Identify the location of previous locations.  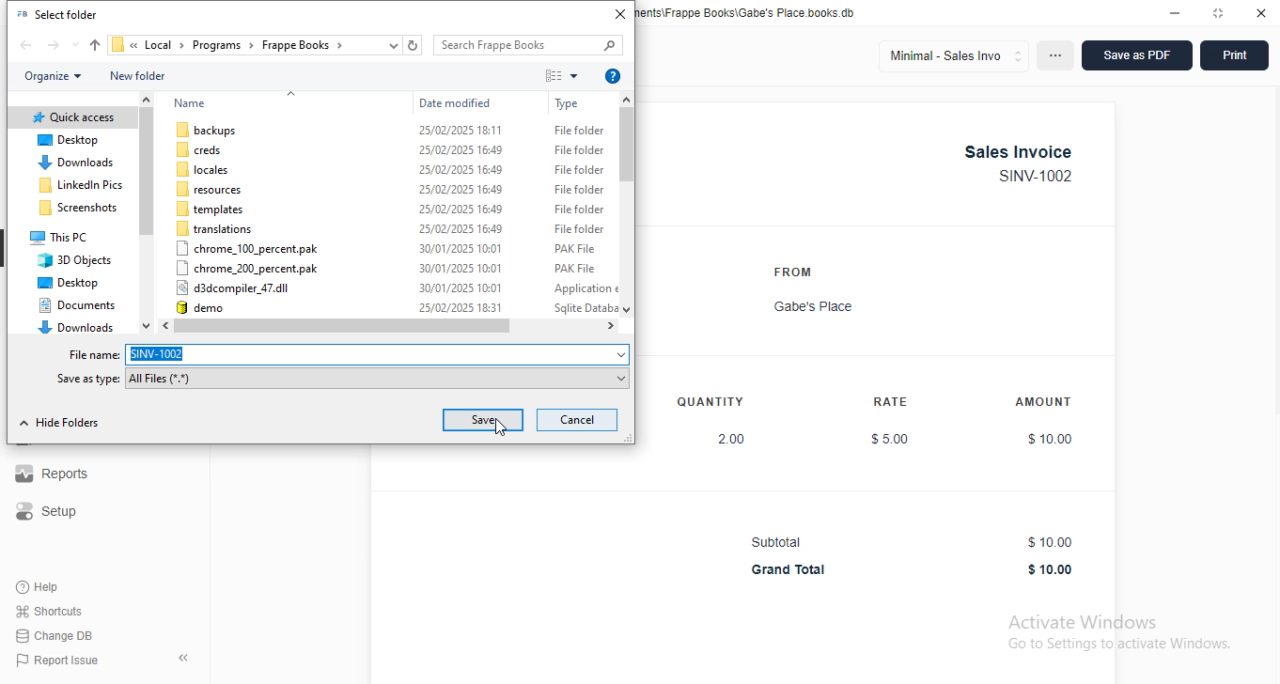
(393, 45).